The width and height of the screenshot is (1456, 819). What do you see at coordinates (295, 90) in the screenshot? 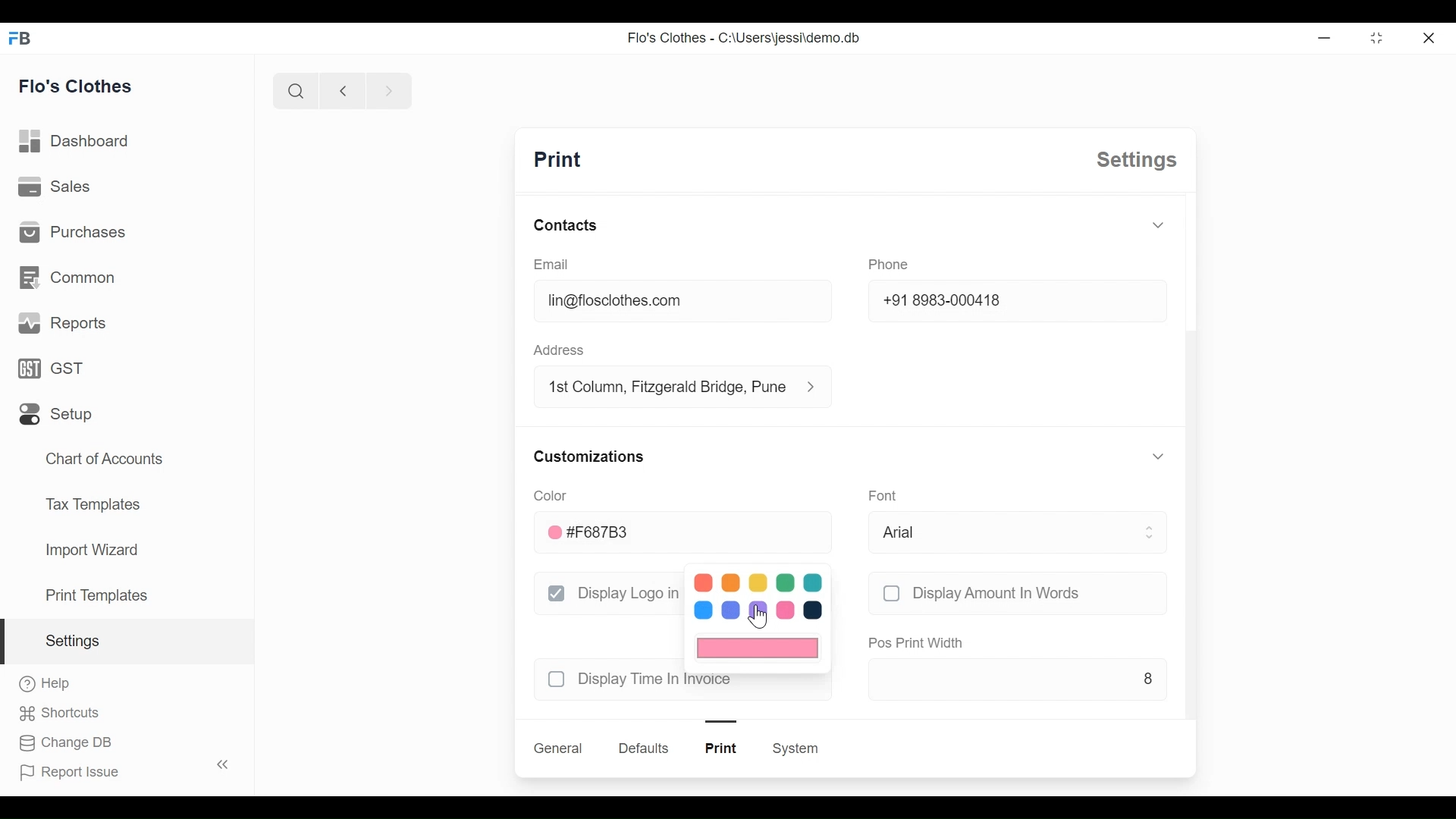
I see `search` at bounding box center [295, 90].